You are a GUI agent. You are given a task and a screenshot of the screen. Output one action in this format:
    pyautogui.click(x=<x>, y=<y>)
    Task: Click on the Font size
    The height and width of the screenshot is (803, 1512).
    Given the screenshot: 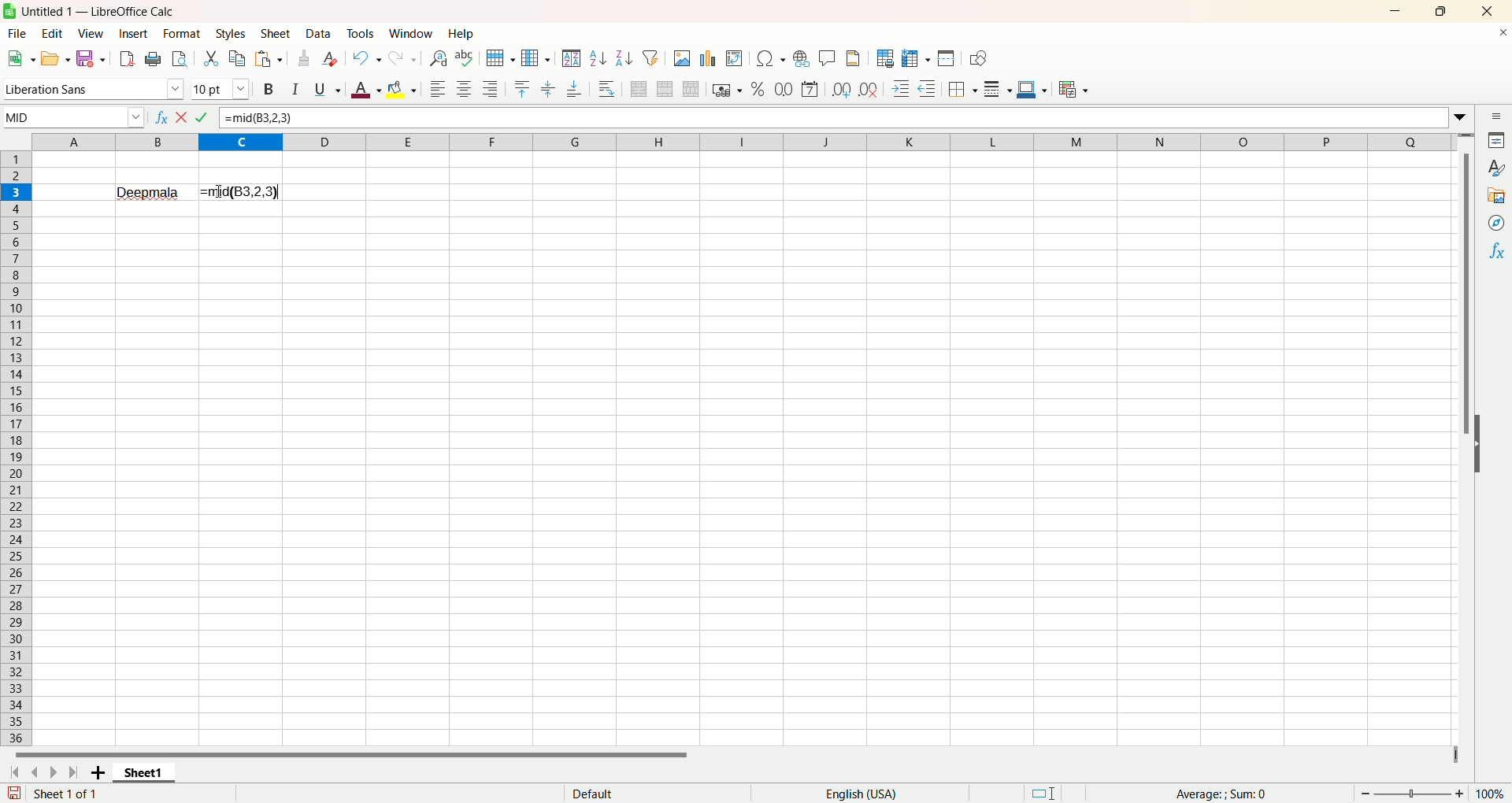 What is the action you would take?
    pyautogui.click(x=224, y=87)
    